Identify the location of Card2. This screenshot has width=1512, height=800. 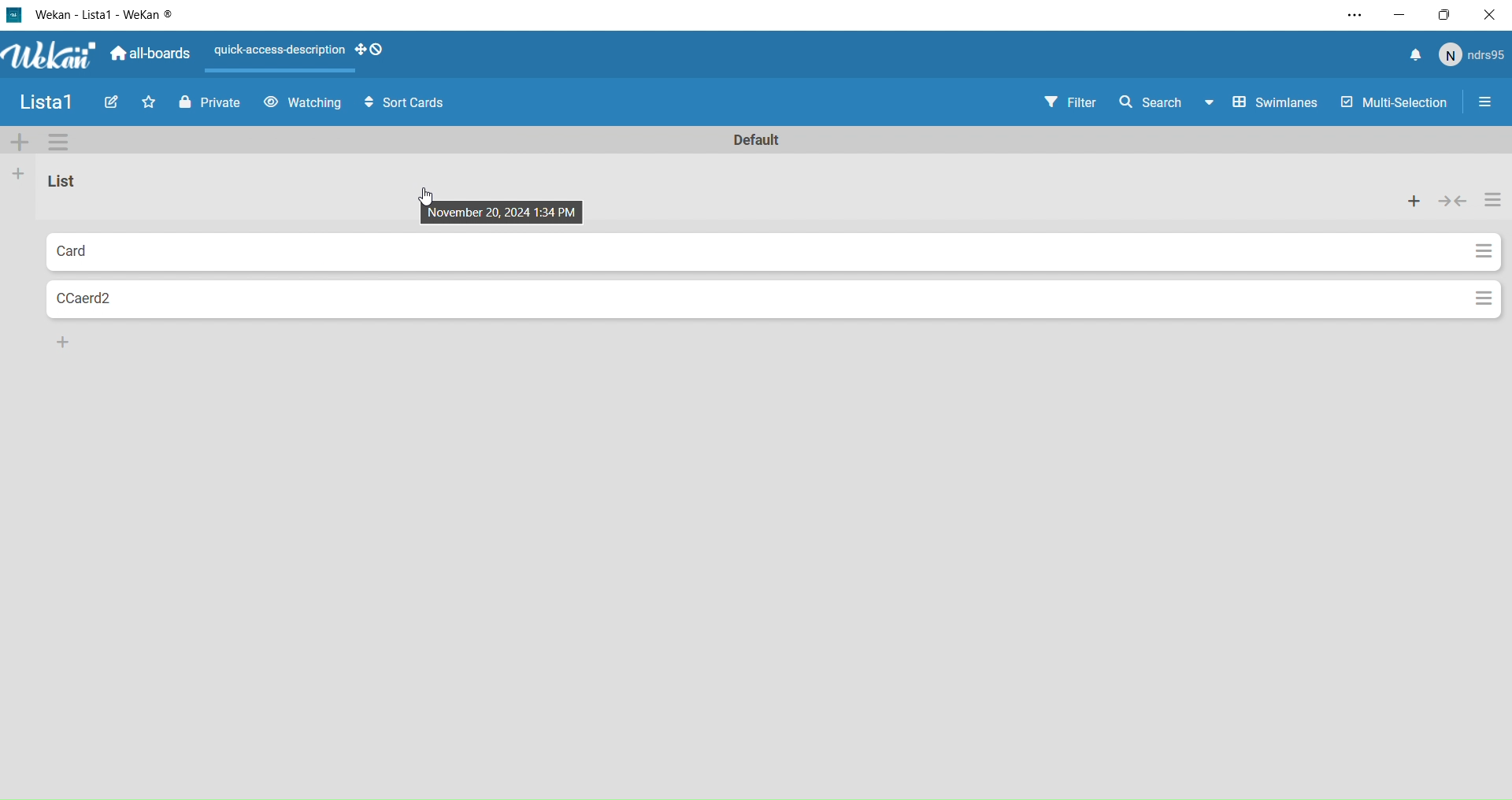
(130, 301).